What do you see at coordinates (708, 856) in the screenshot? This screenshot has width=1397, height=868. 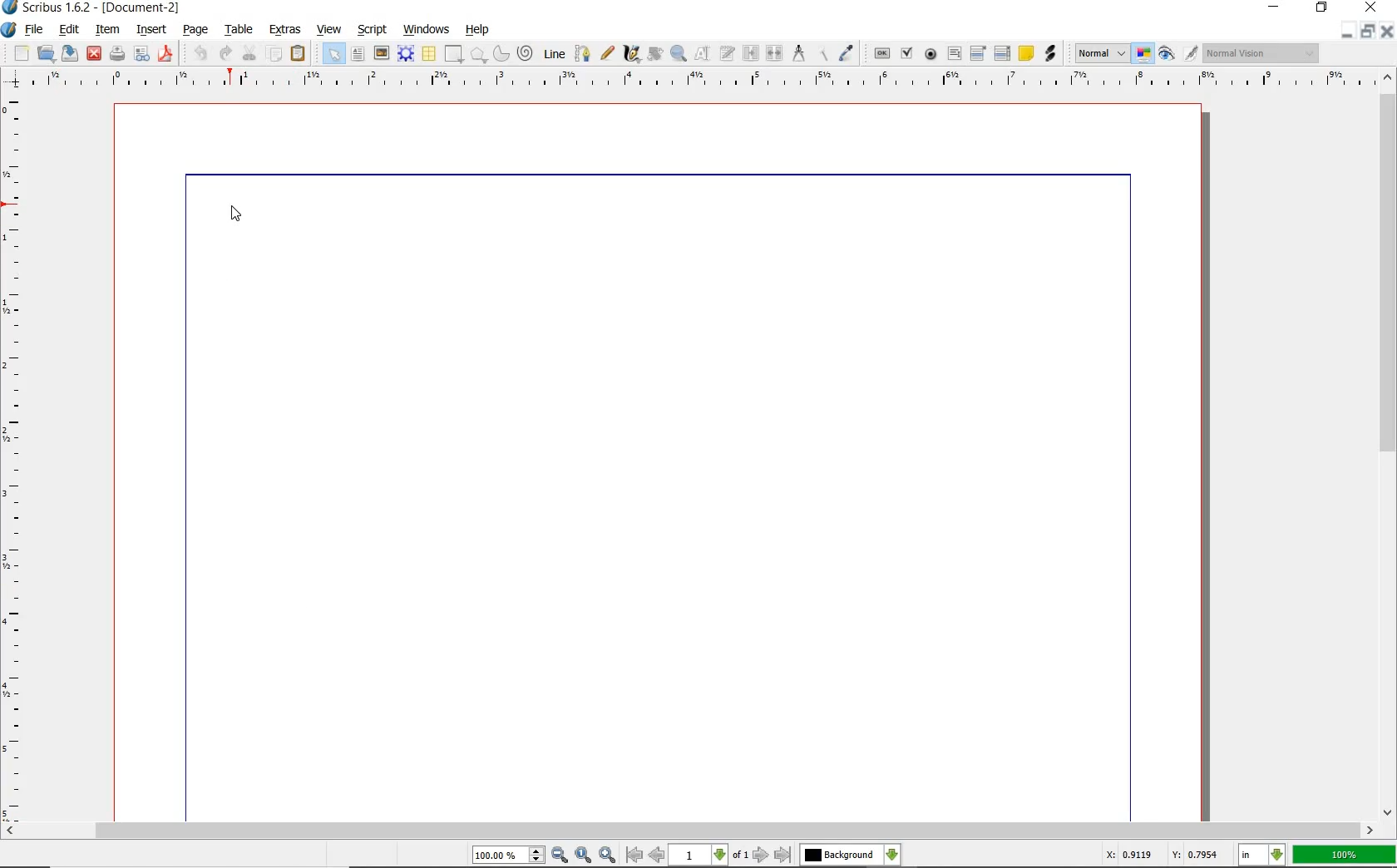 I see `select current page` at bounding box center [708, 856].